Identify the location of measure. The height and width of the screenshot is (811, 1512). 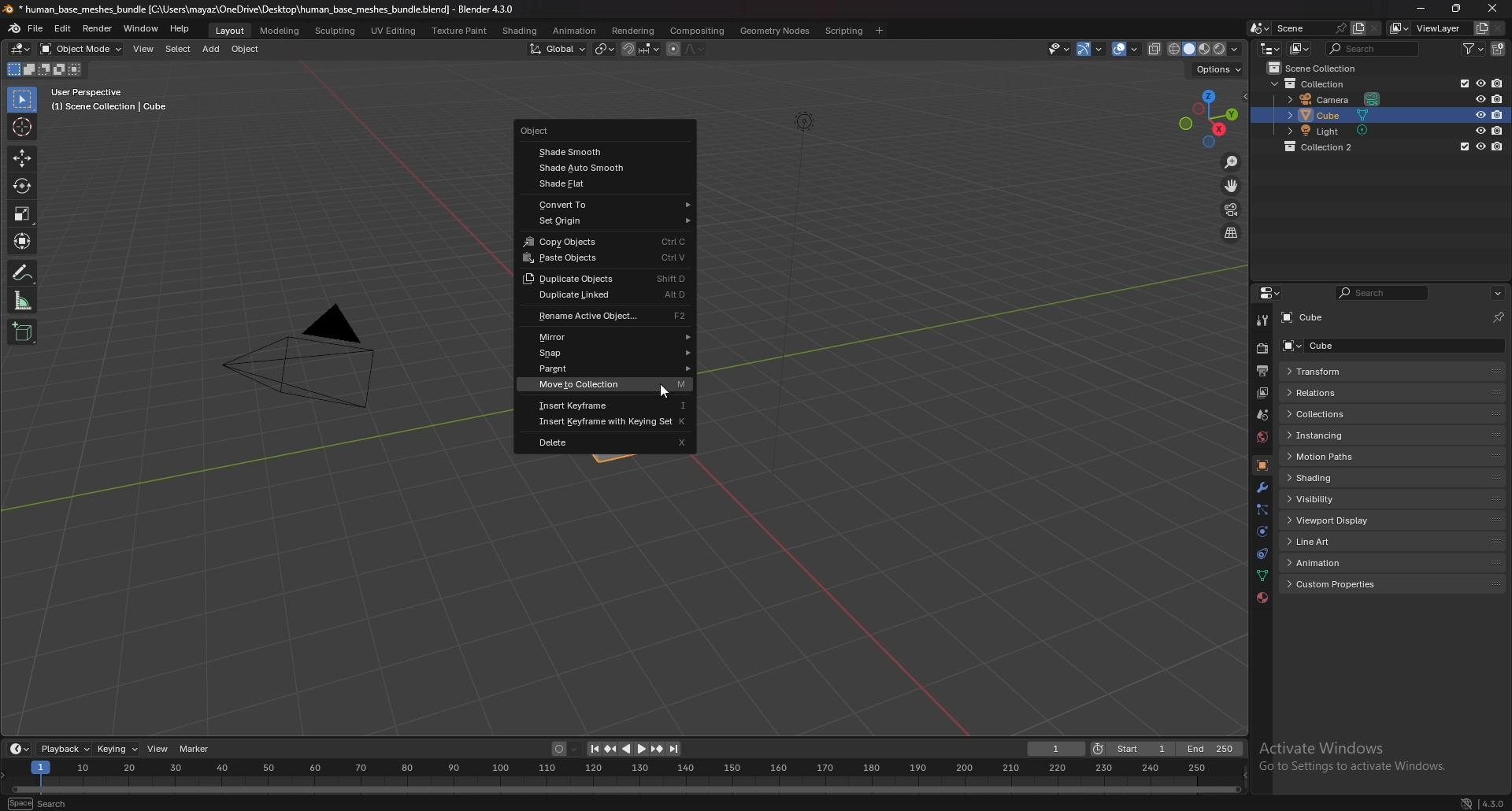
(22, 301).